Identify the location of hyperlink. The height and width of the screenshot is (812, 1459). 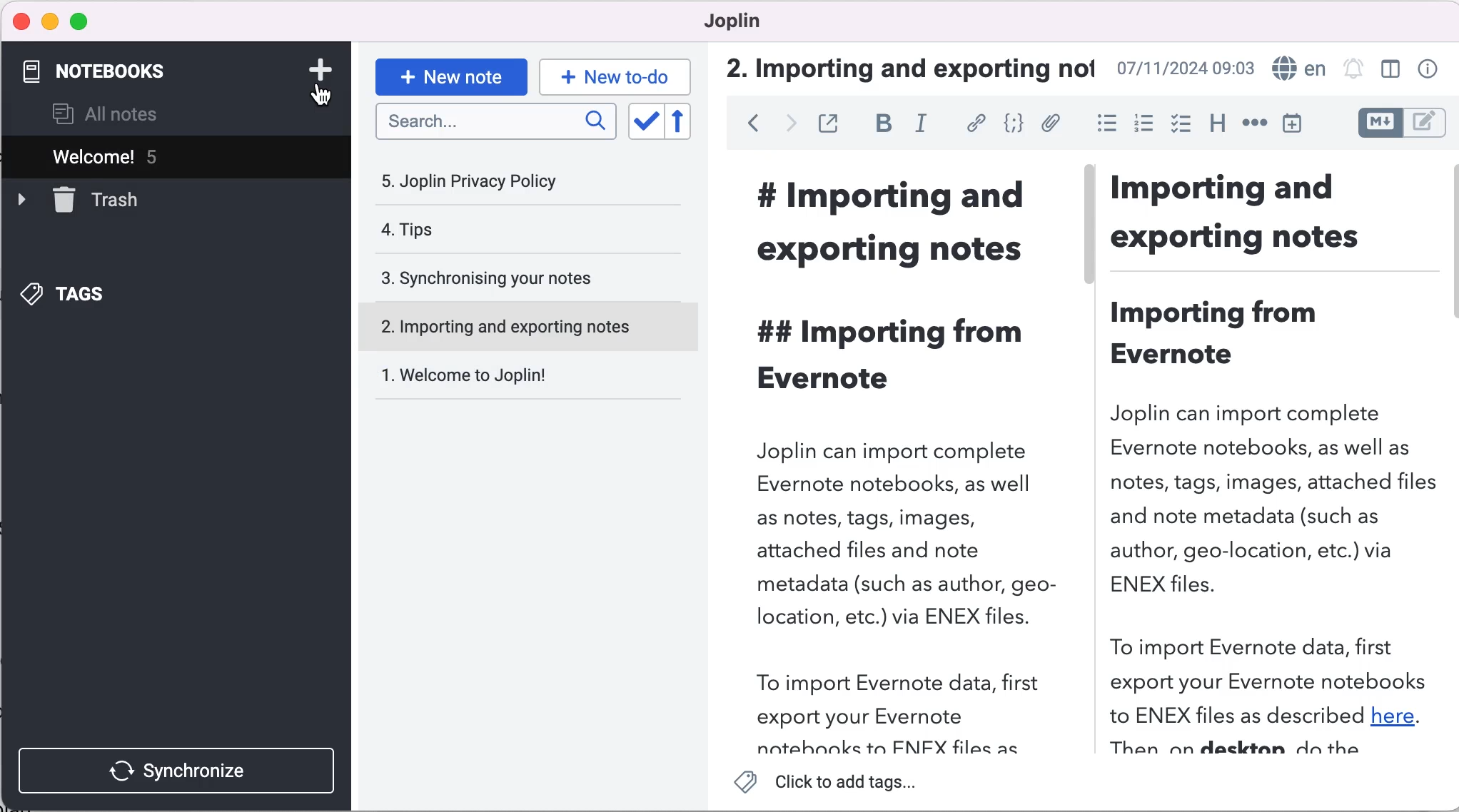
(977, 126).